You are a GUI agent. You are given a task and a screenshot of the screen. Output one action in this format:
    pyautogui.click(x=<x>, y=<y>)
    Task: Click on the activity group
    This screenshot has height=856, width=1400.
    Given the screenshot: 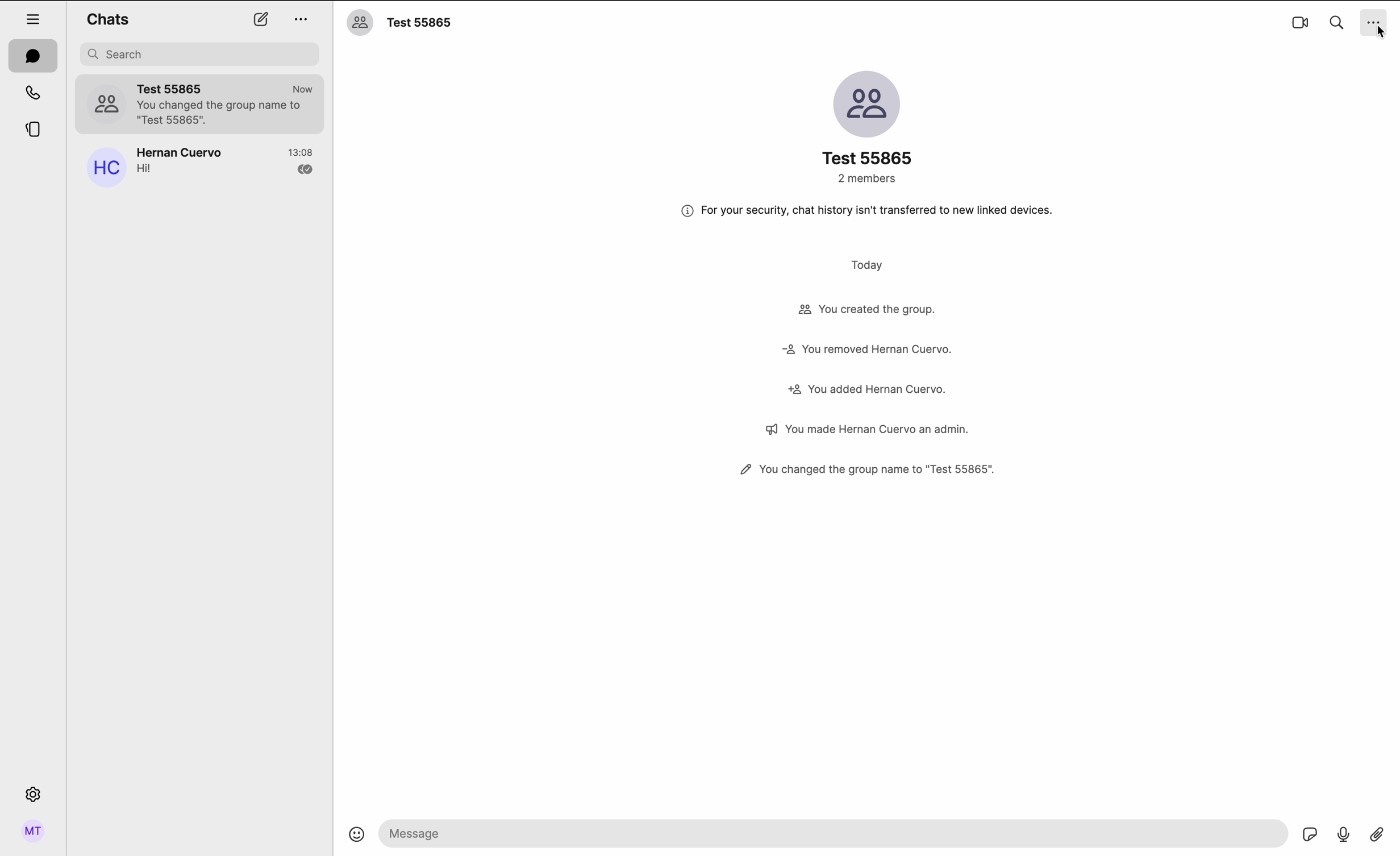 What is the action you would take?
    pyautogui.click(x=868, y=387)
    